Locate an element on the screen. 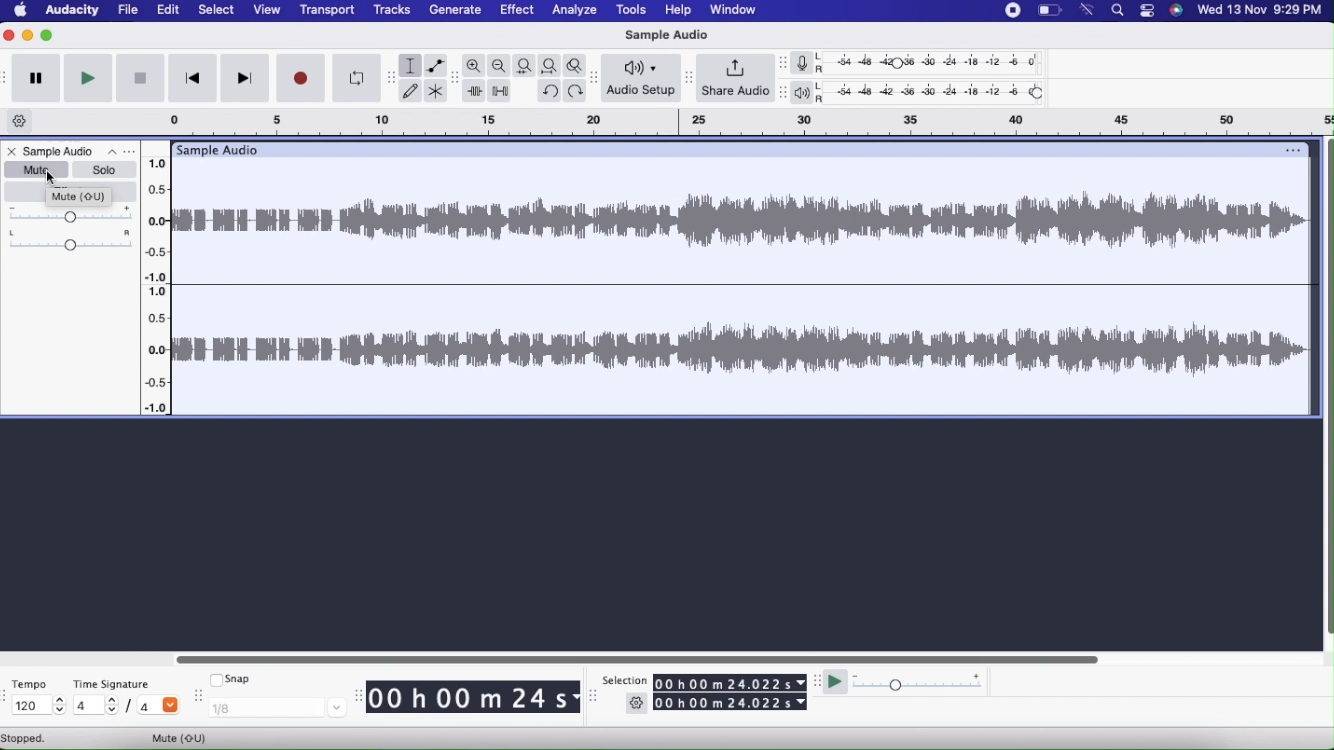  Multi-tool is located at coordinates (437, 91).